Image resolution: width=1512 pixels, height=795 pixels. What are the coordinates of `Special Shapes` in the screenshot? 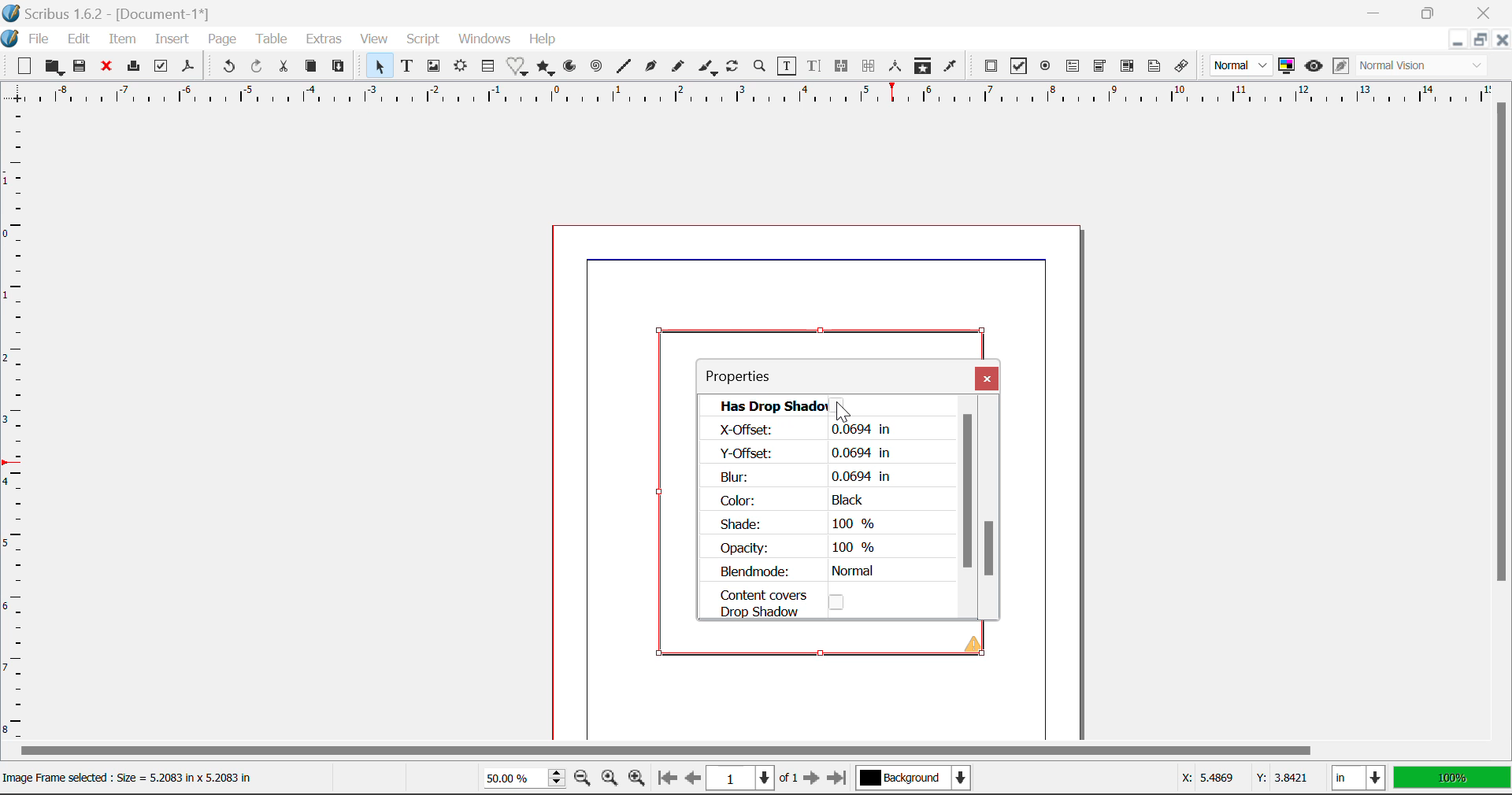 It's located at (520, 68).